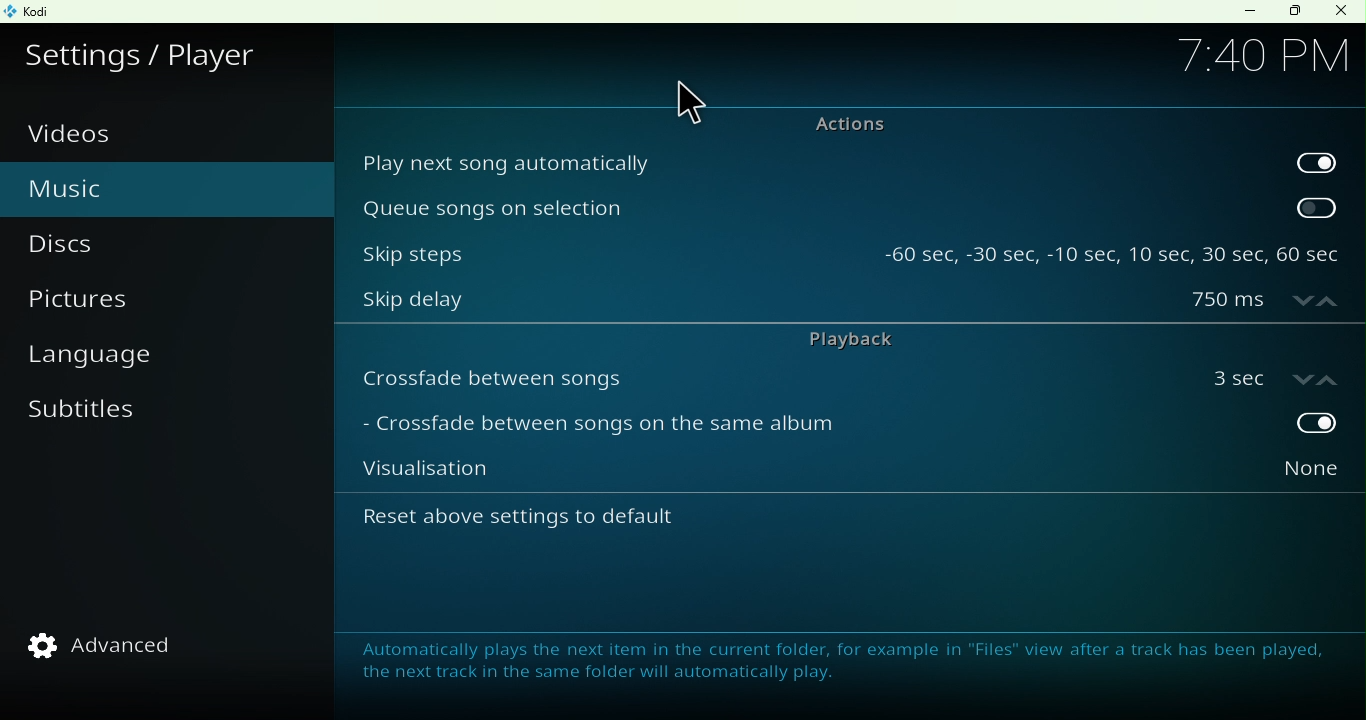 Image resolution: width=1366 pixels, height=720 pixels. I want to click on Language, so click(108, 360).